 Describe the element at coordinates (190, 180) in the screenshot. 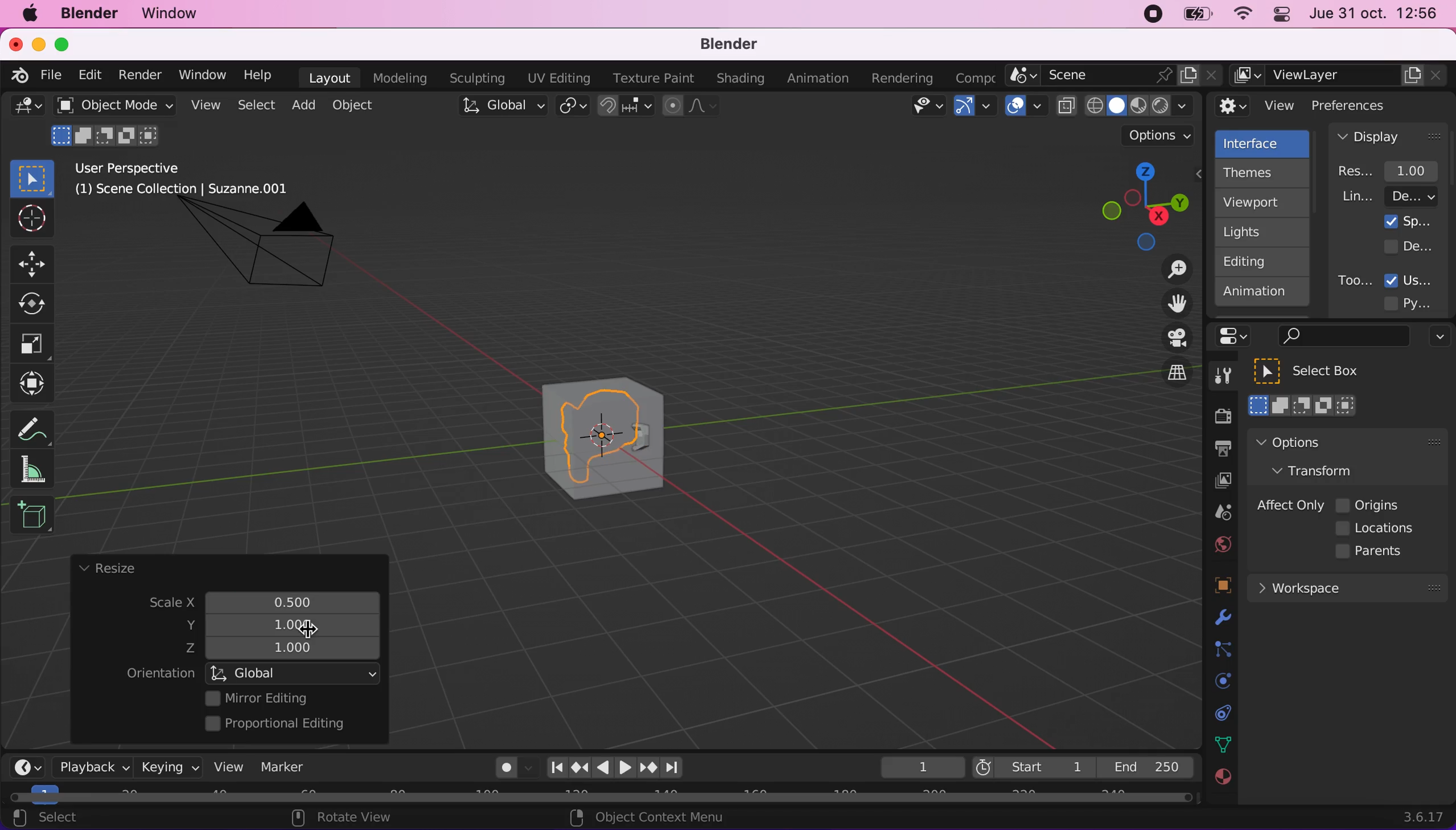

I see `user perspective (1) scene collection | suzzane.001` at that location.